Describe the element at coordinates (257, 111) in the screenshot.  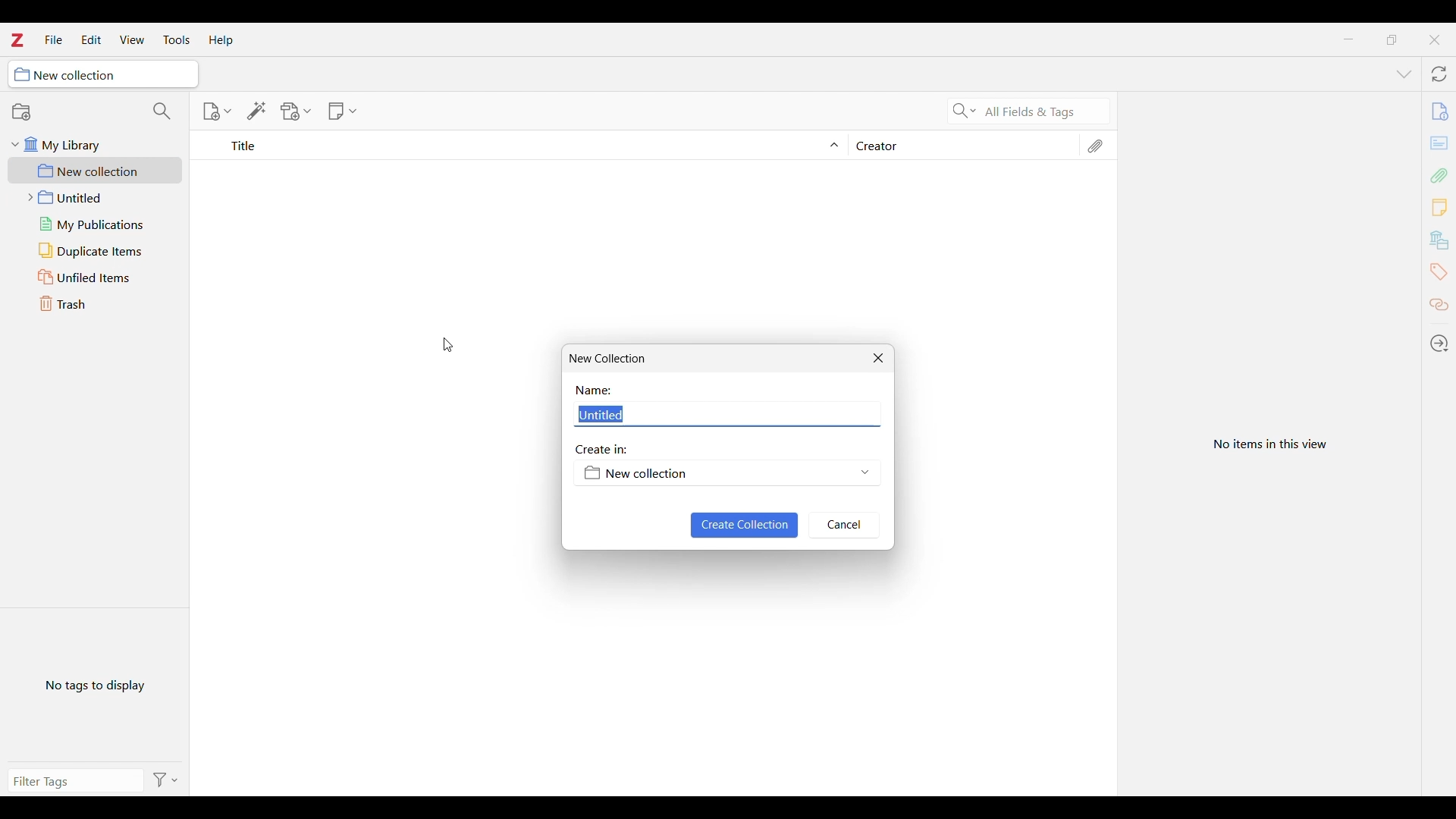
I see `Add item/s by identifier` at that location.